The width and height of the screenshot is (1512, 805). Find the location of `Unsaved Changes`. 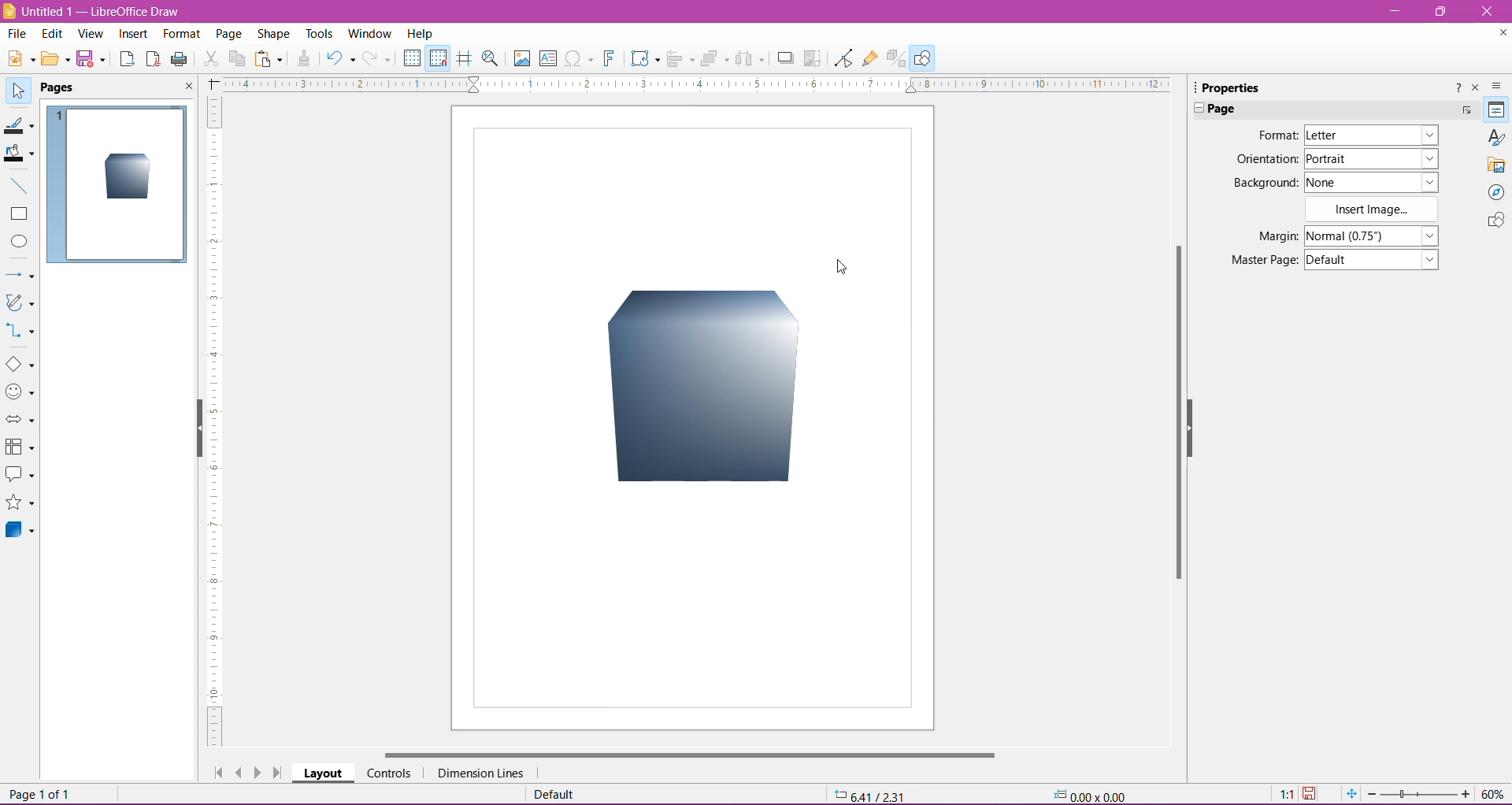

Unsaved Changes is located at coordinates (1311, 795).